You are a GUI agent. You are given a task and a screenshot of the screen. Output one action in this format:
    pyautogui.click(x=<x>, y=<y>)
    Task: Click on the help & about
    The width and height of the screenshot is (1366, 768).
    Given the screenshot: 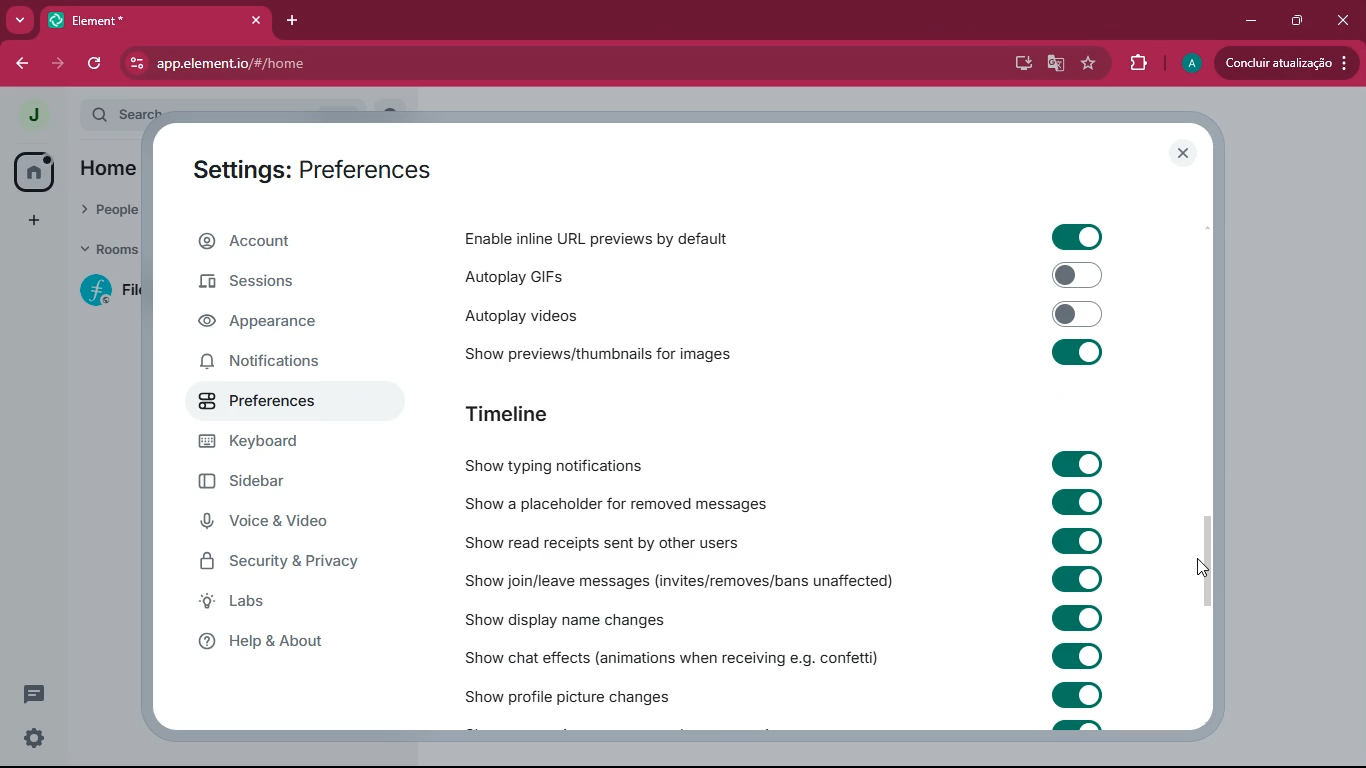 What is the action you would take?
    pyautogui.click(x=288, y=639)
    